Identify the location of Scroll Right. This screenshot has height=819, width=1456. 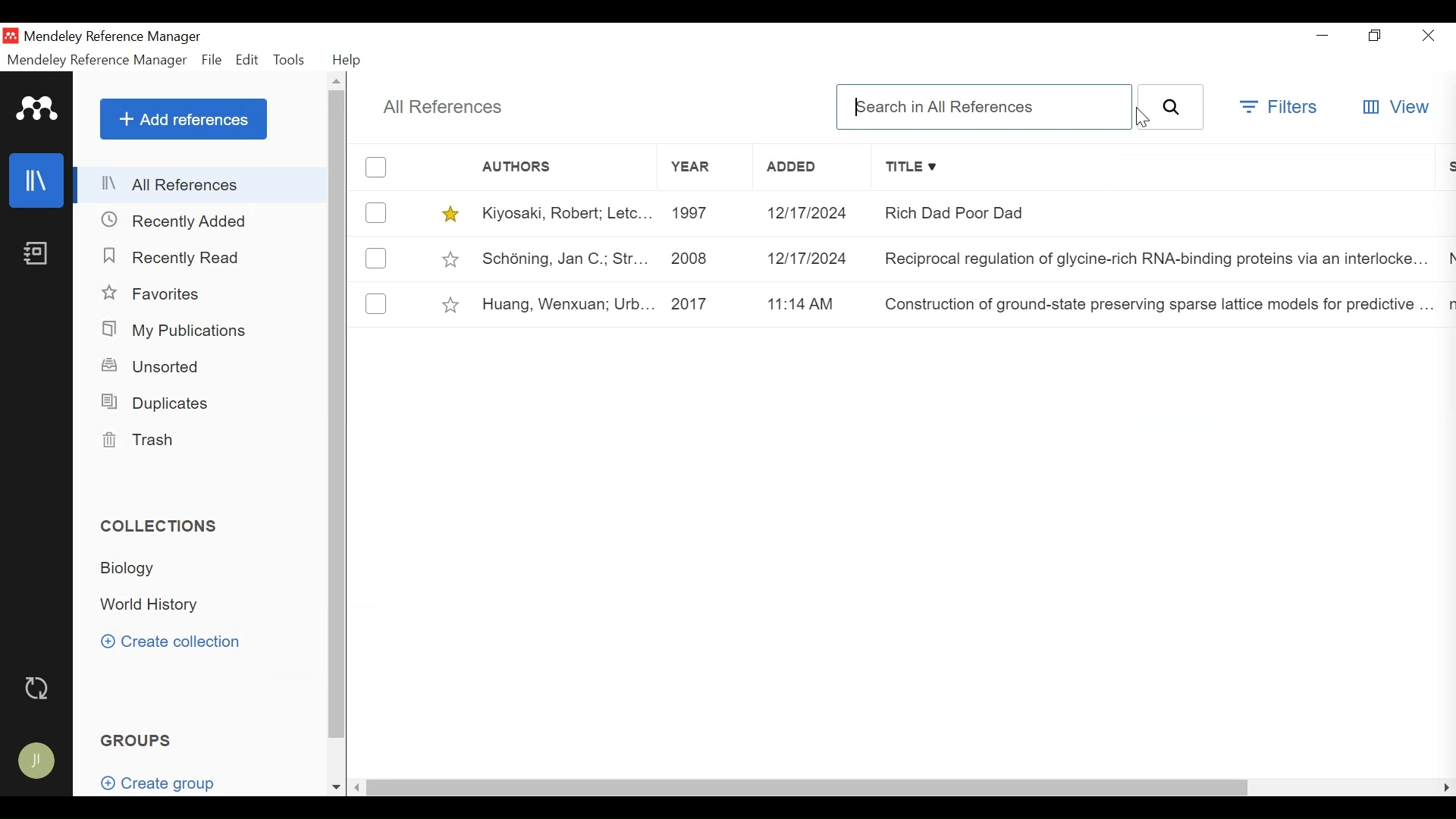
(1444, 789).